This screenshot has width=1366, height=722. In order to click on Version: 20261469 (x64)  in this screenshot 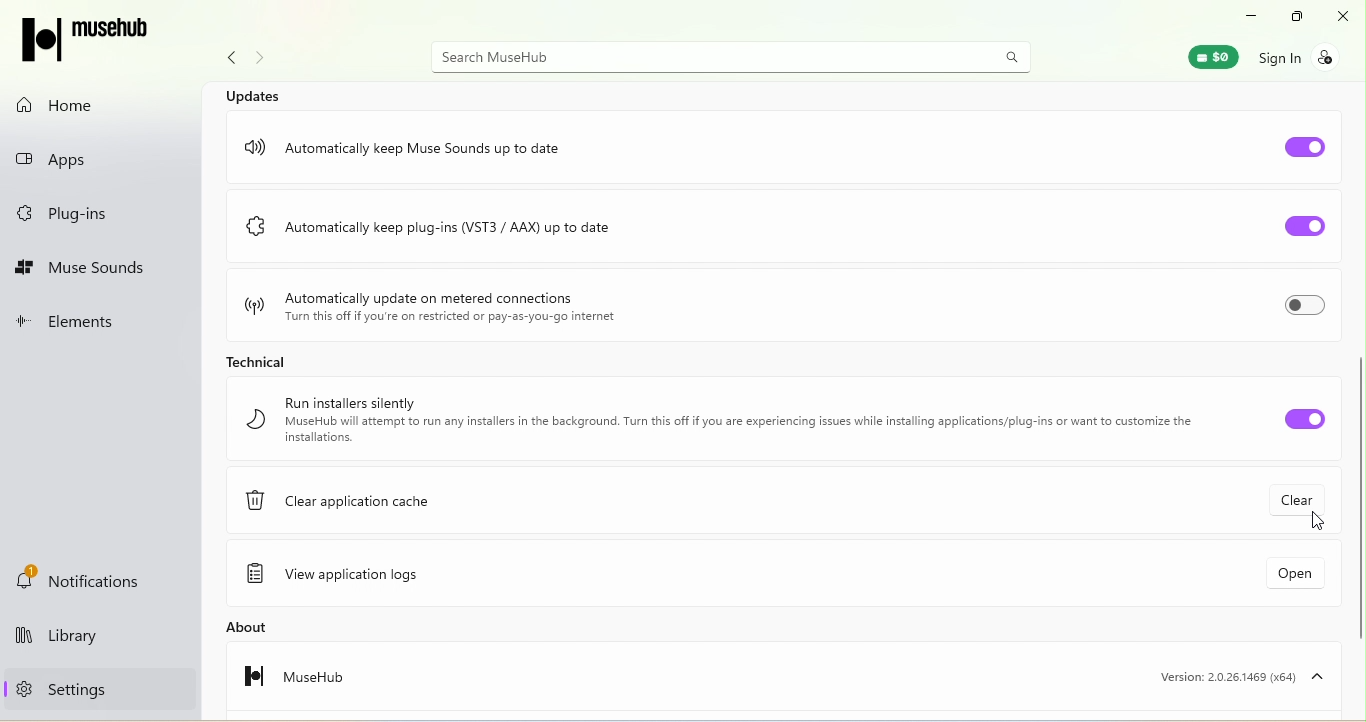, I will do `click(1236, 676)`.